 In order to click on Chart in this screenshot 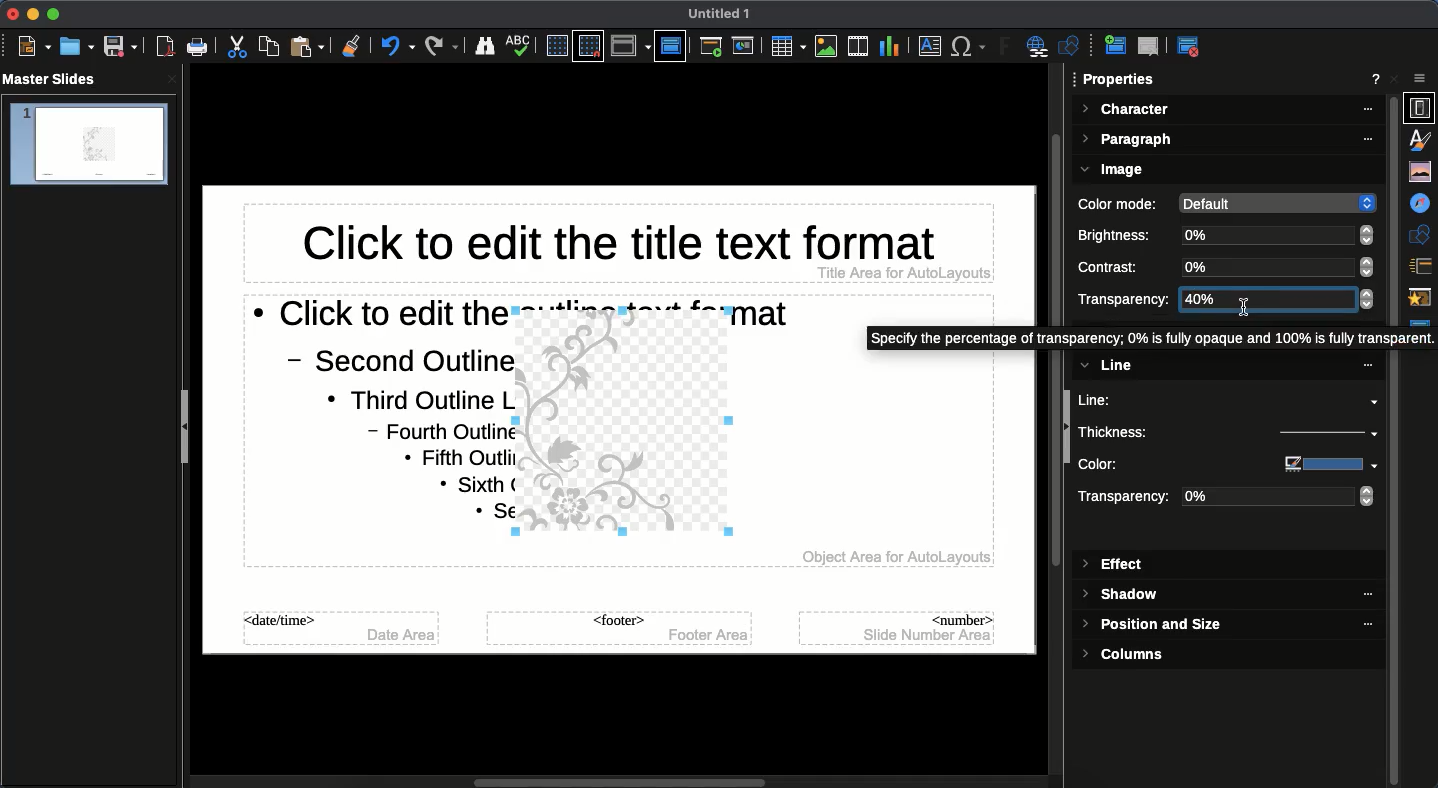, I will do `click(889, 45)`.